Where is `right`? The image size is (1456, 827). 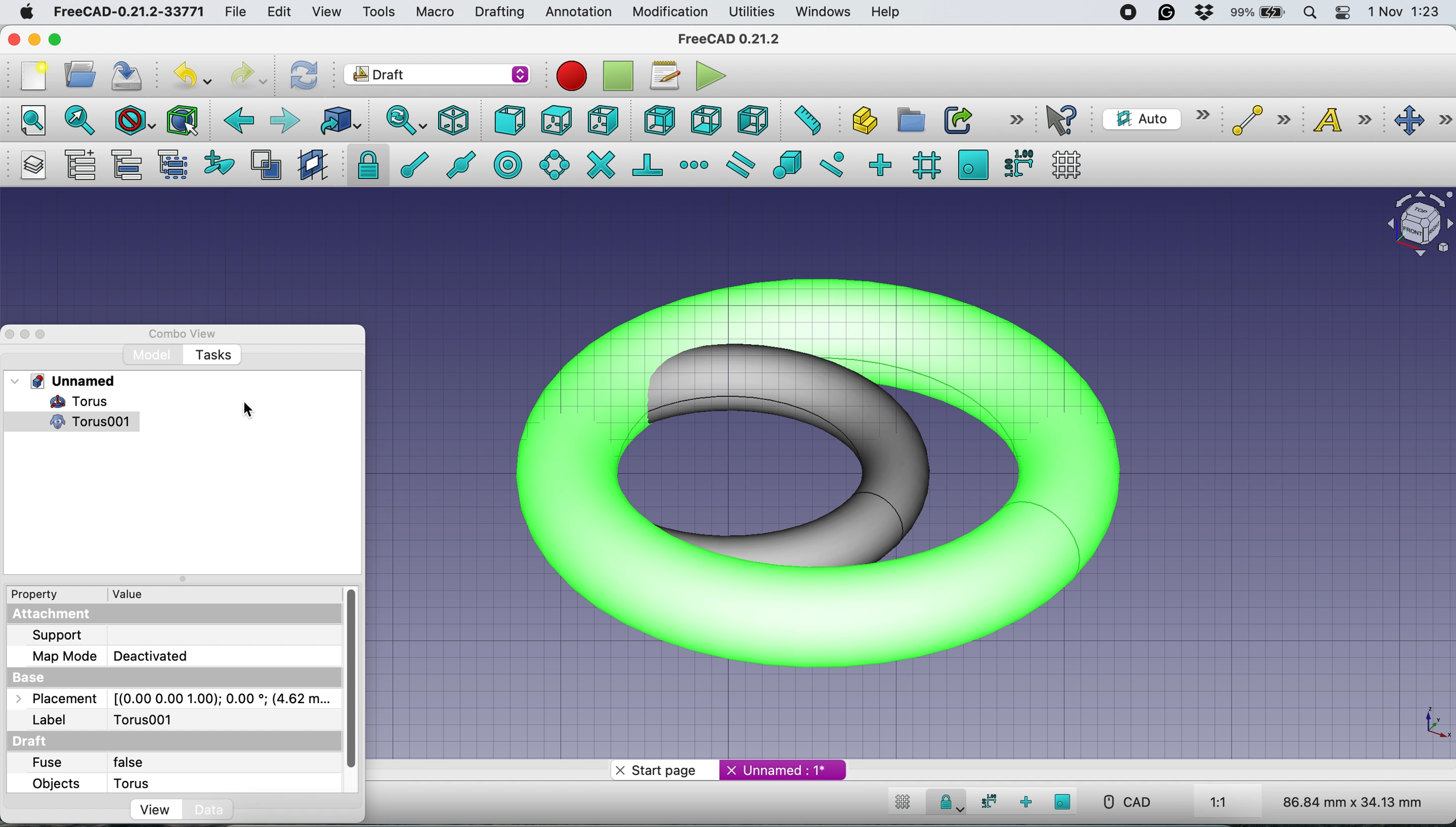 right is located at coordinates (602, 122).